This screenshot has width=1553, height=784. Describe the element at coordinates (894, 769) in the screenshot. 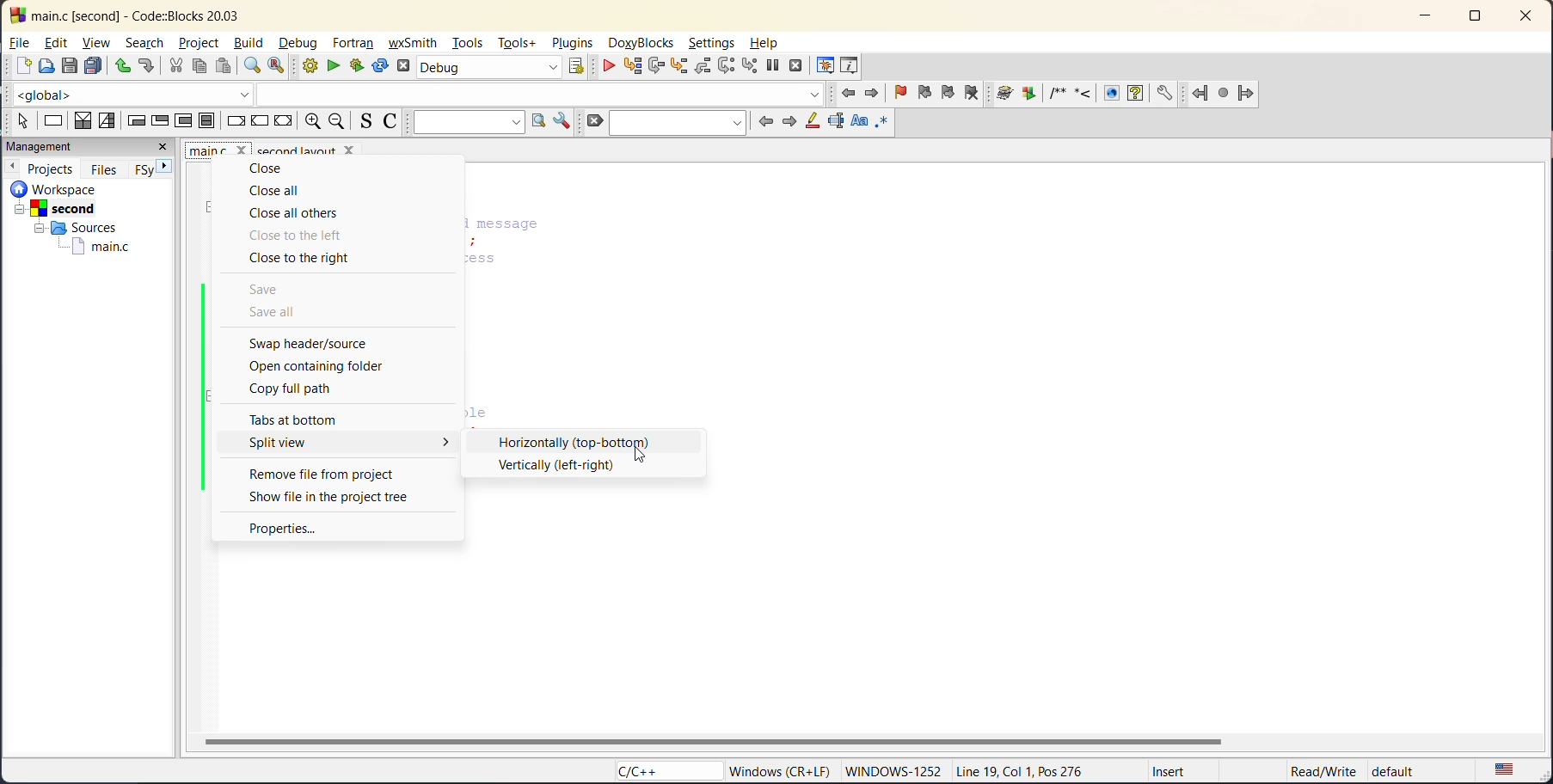

I see `Windows-1252` at that location.